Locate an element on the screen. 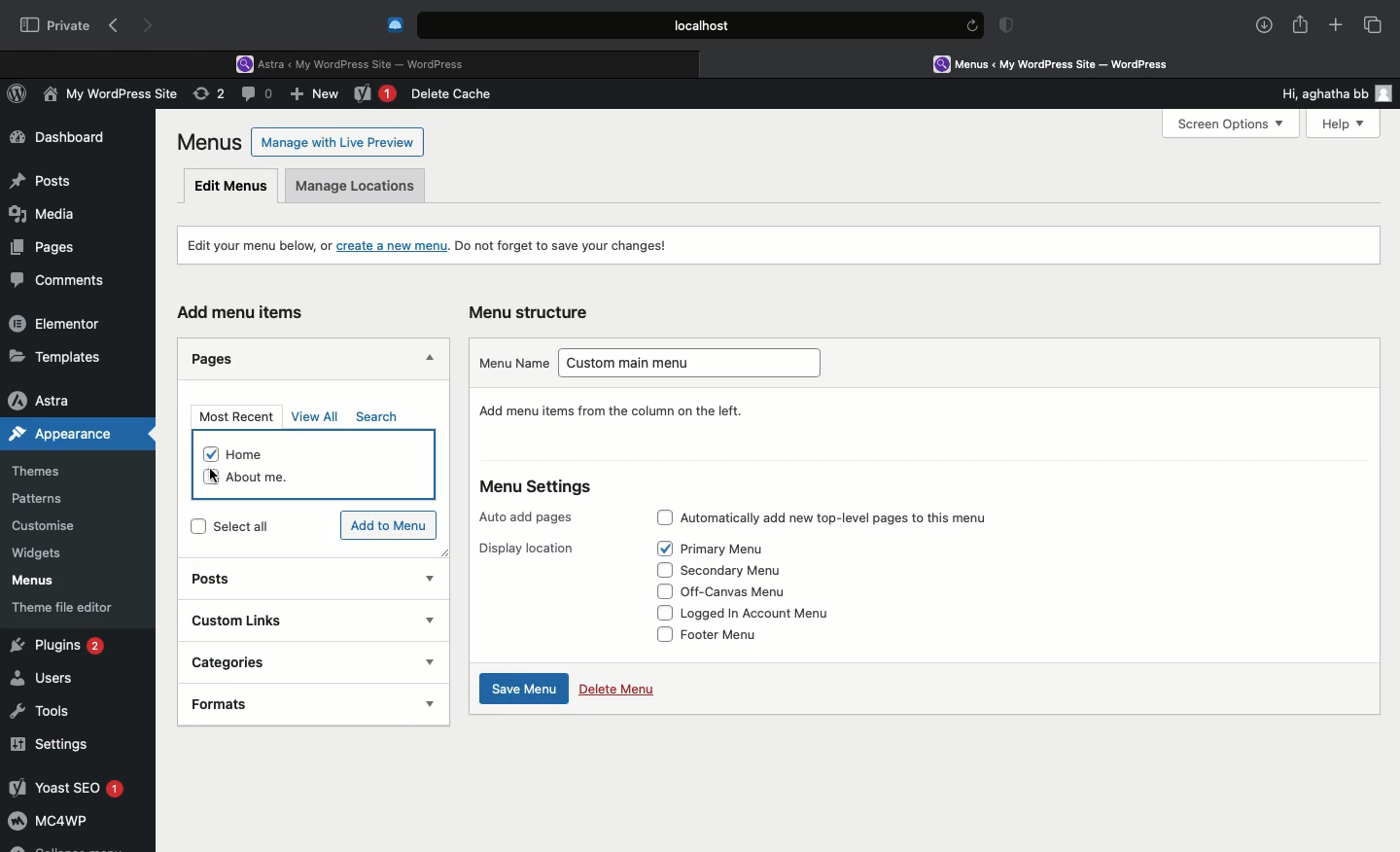 This screenshot has height=852, width=1400. Templates is located at coordinates (56, 356).